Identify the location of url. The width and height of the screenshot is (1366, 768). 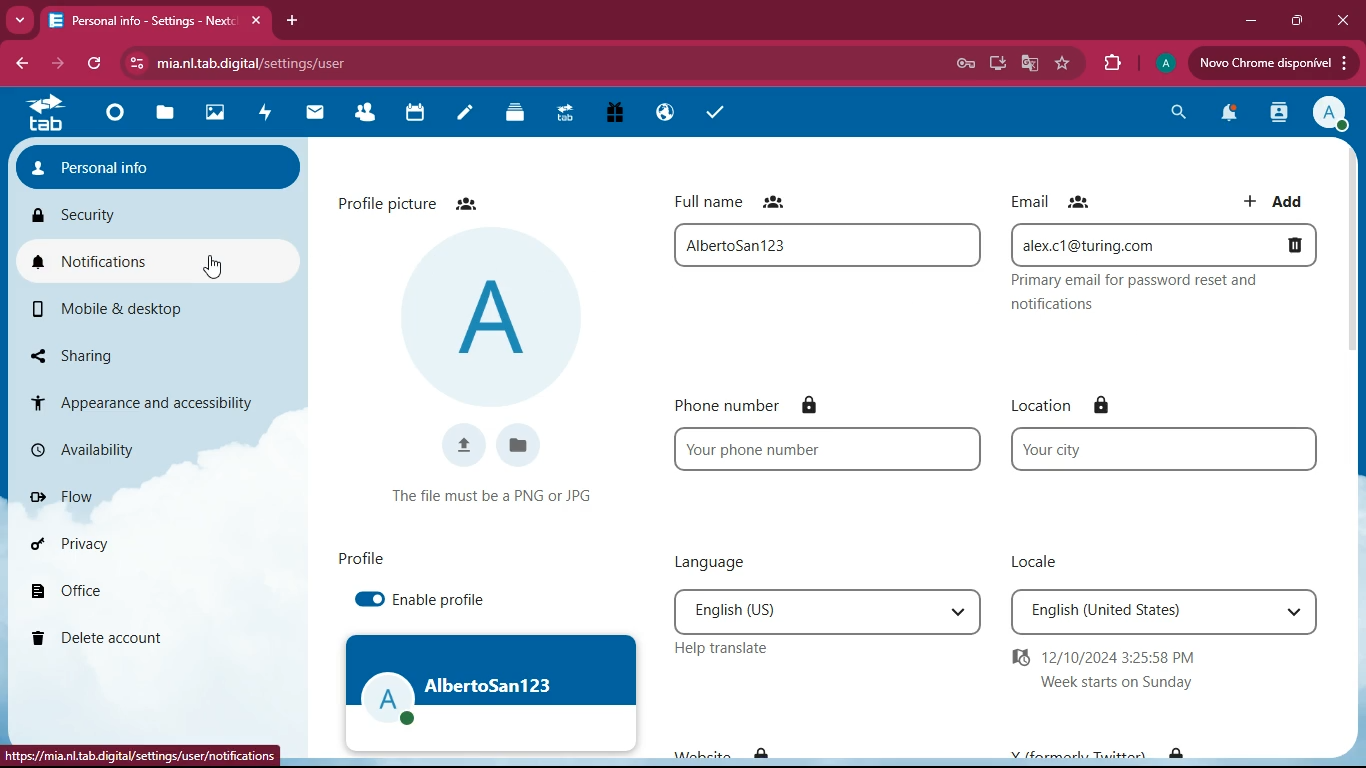
(140, 758).